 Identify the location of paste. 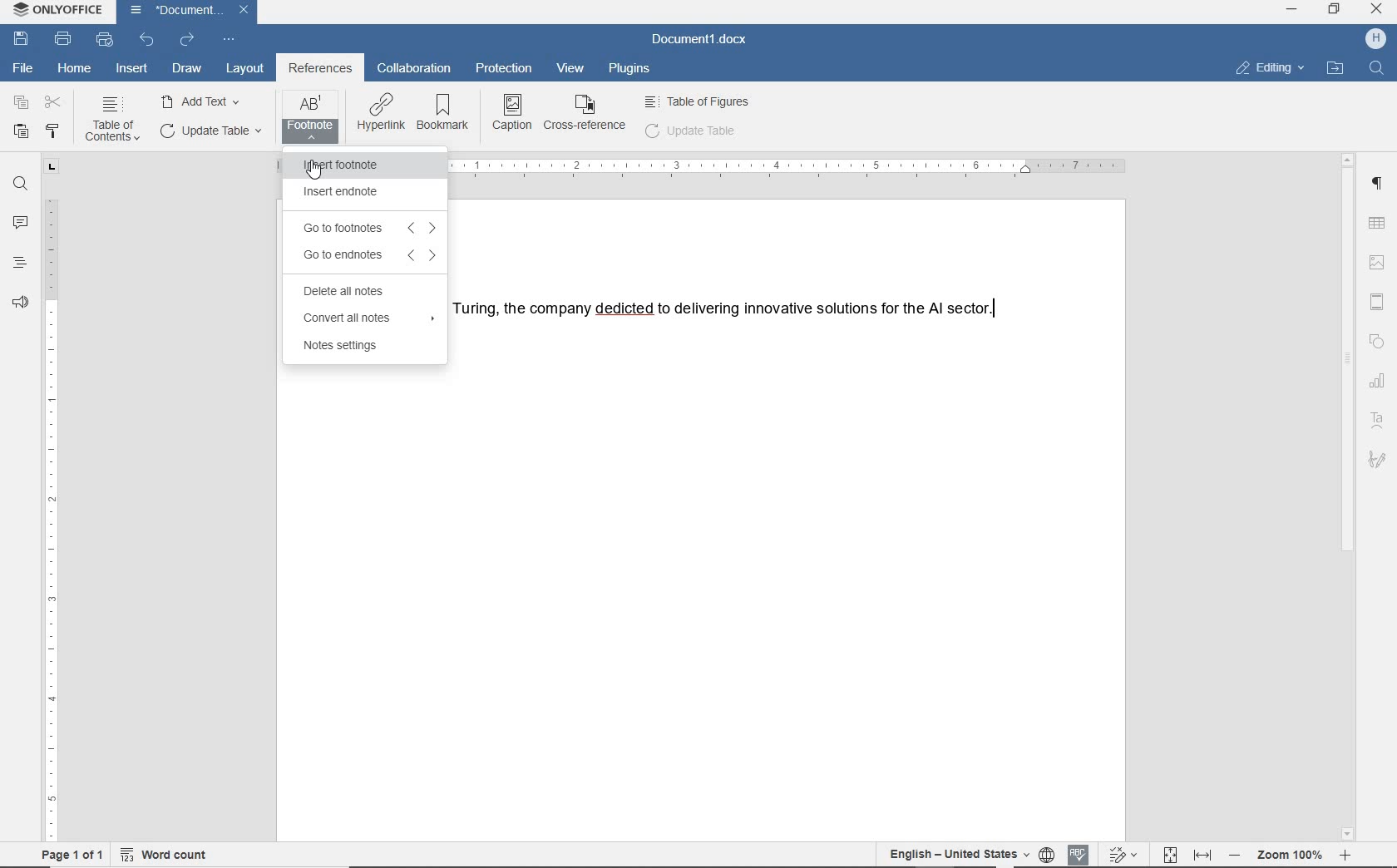
(19, 132).